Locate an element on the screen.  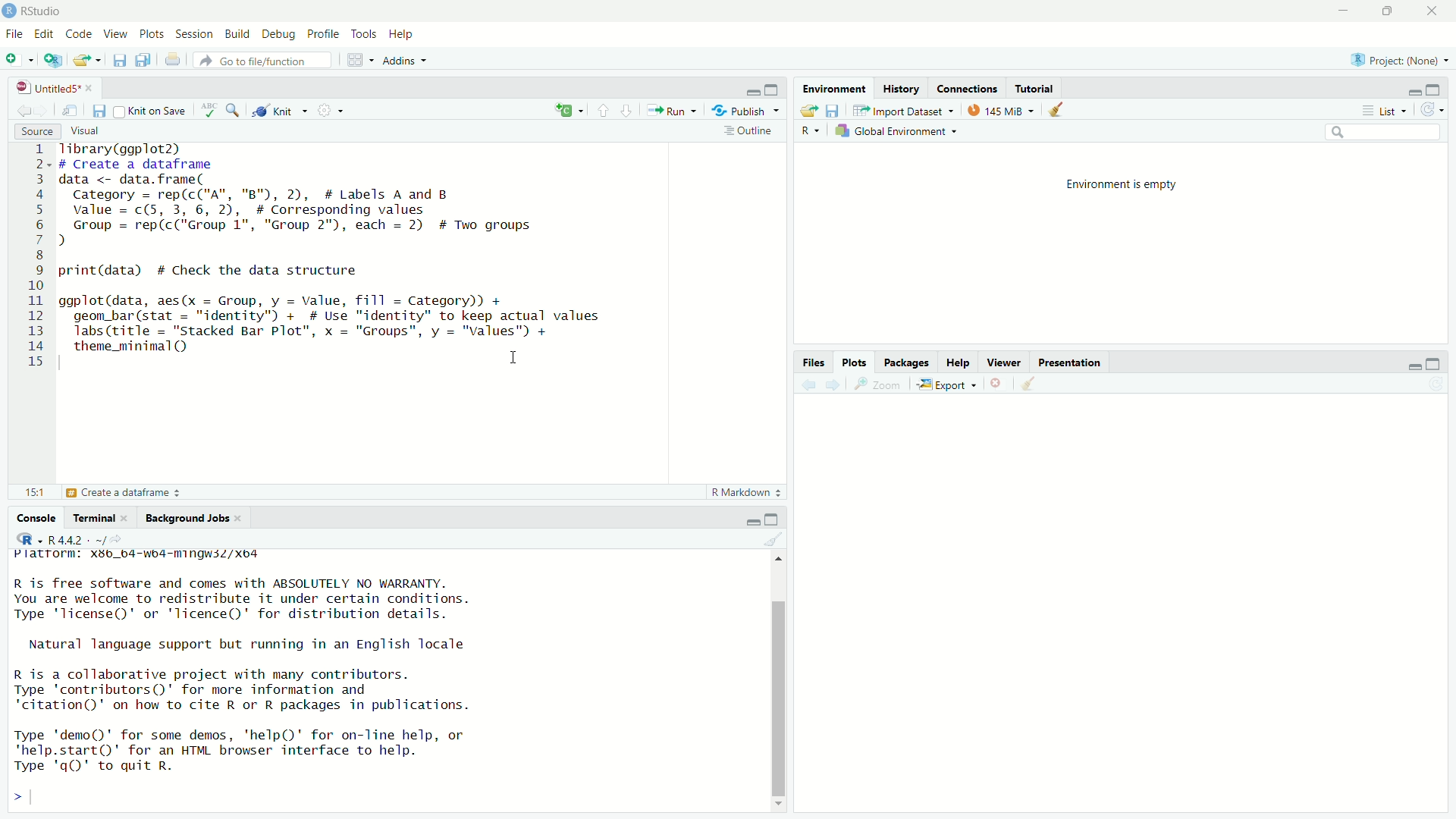
Packages is located at coordinates (904, 360).